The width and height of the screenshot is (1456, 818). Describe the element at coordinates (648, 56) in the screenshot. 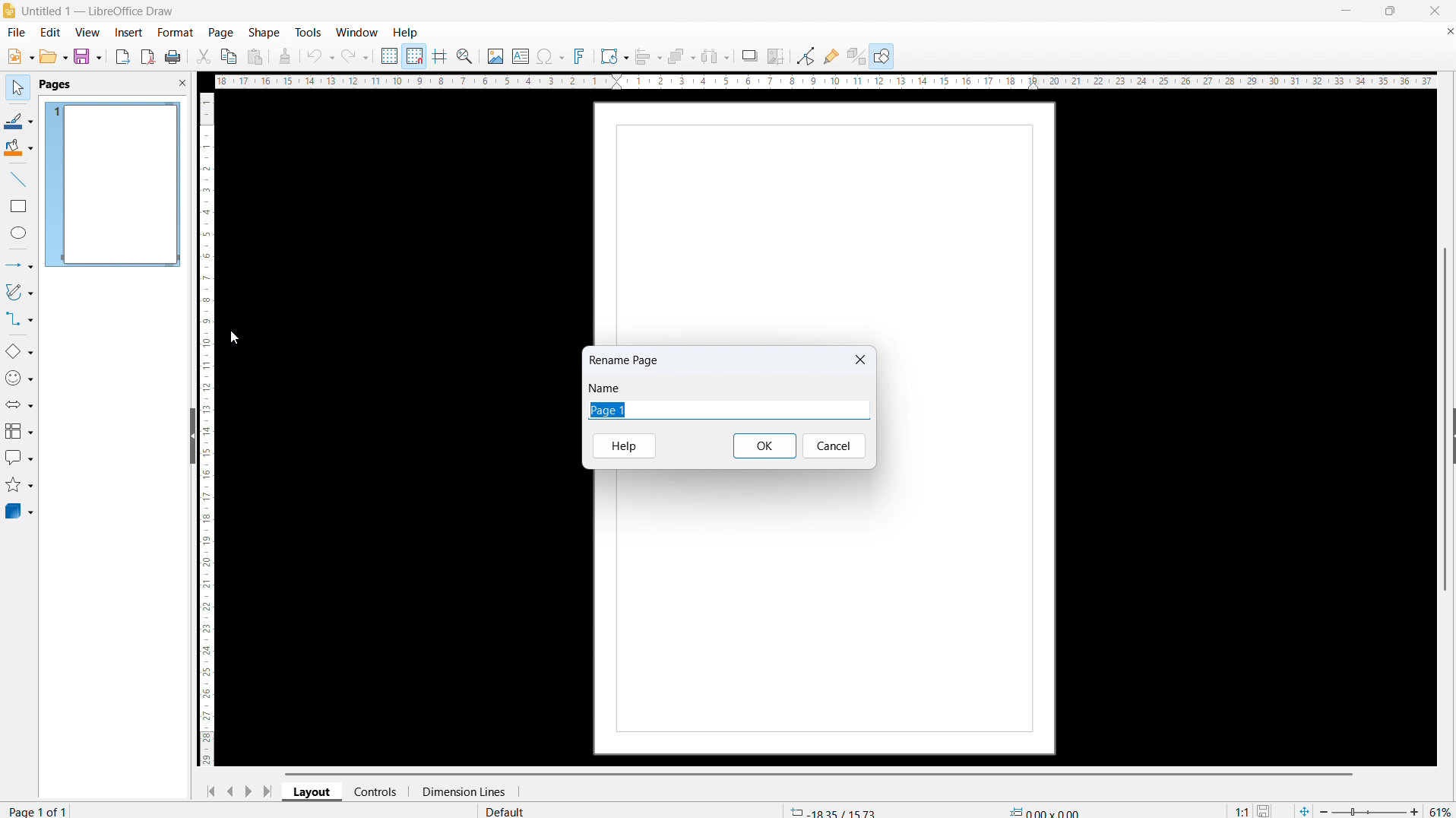

I see `align` at that location.